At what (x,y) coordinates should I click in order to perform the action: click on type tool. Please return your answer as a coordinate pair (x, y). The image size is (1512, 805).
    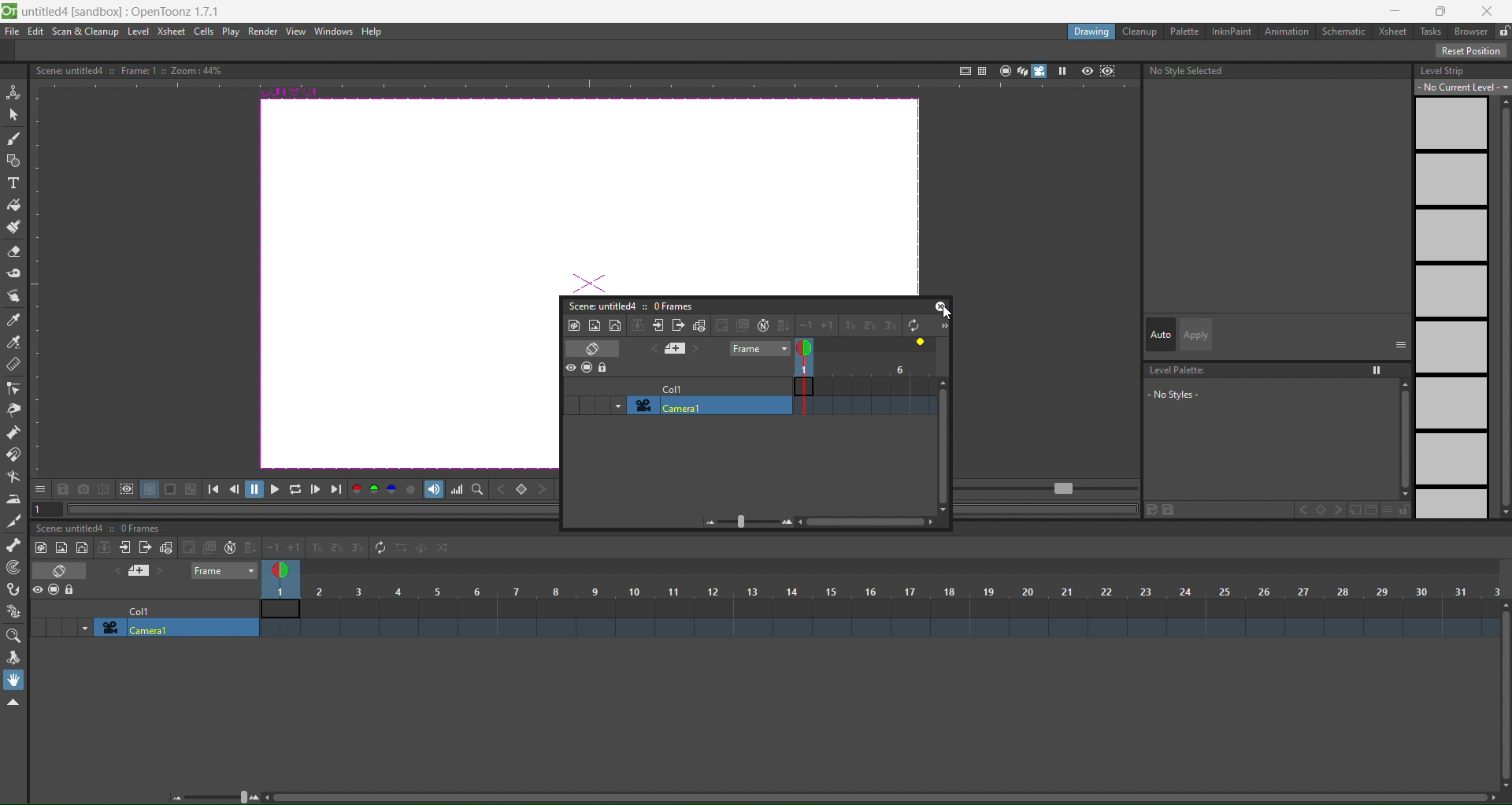
    Looking at the image, I should click on (13, 185).